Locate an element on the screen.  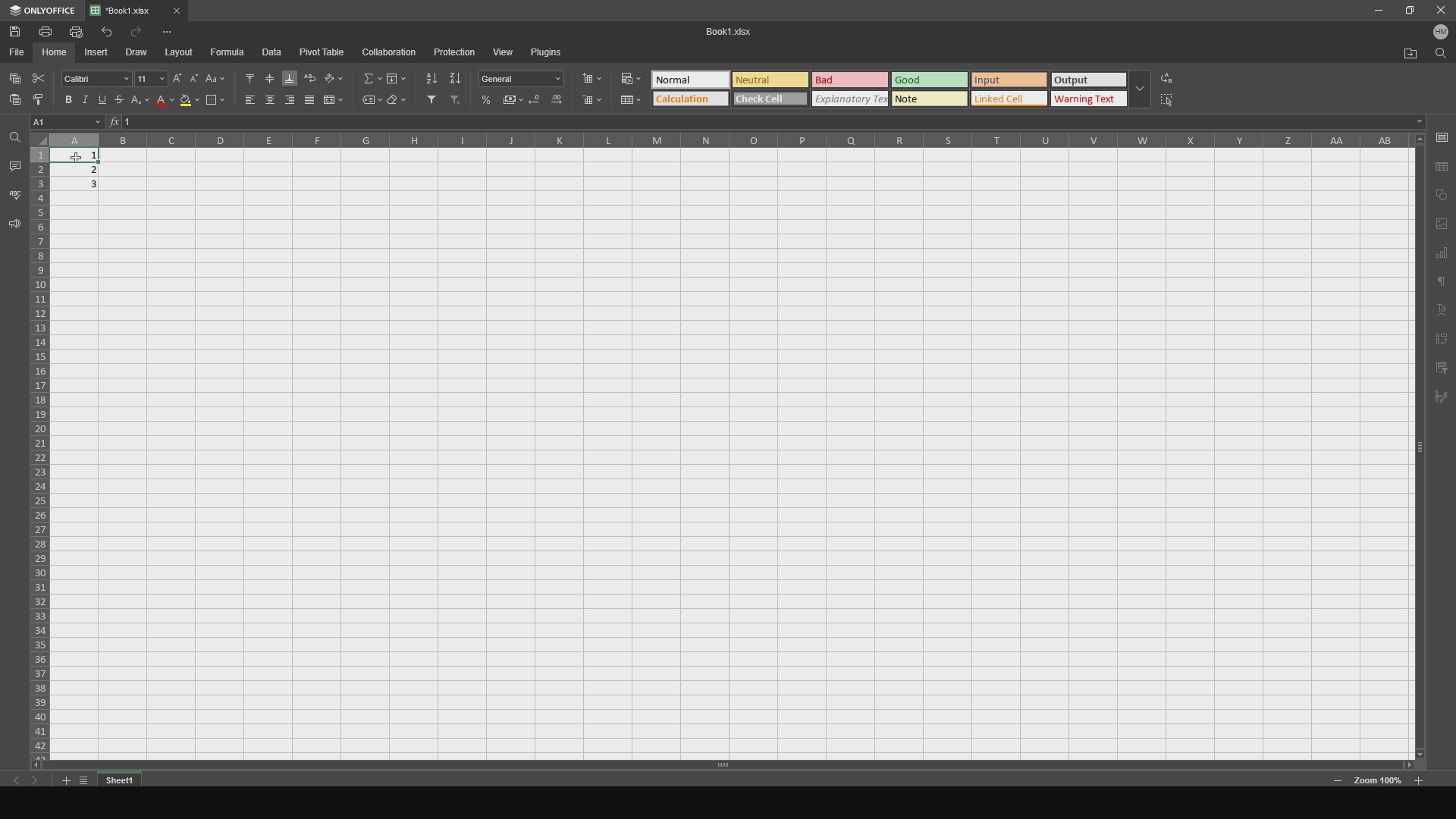
plugins is located at coordinates (554, 53).